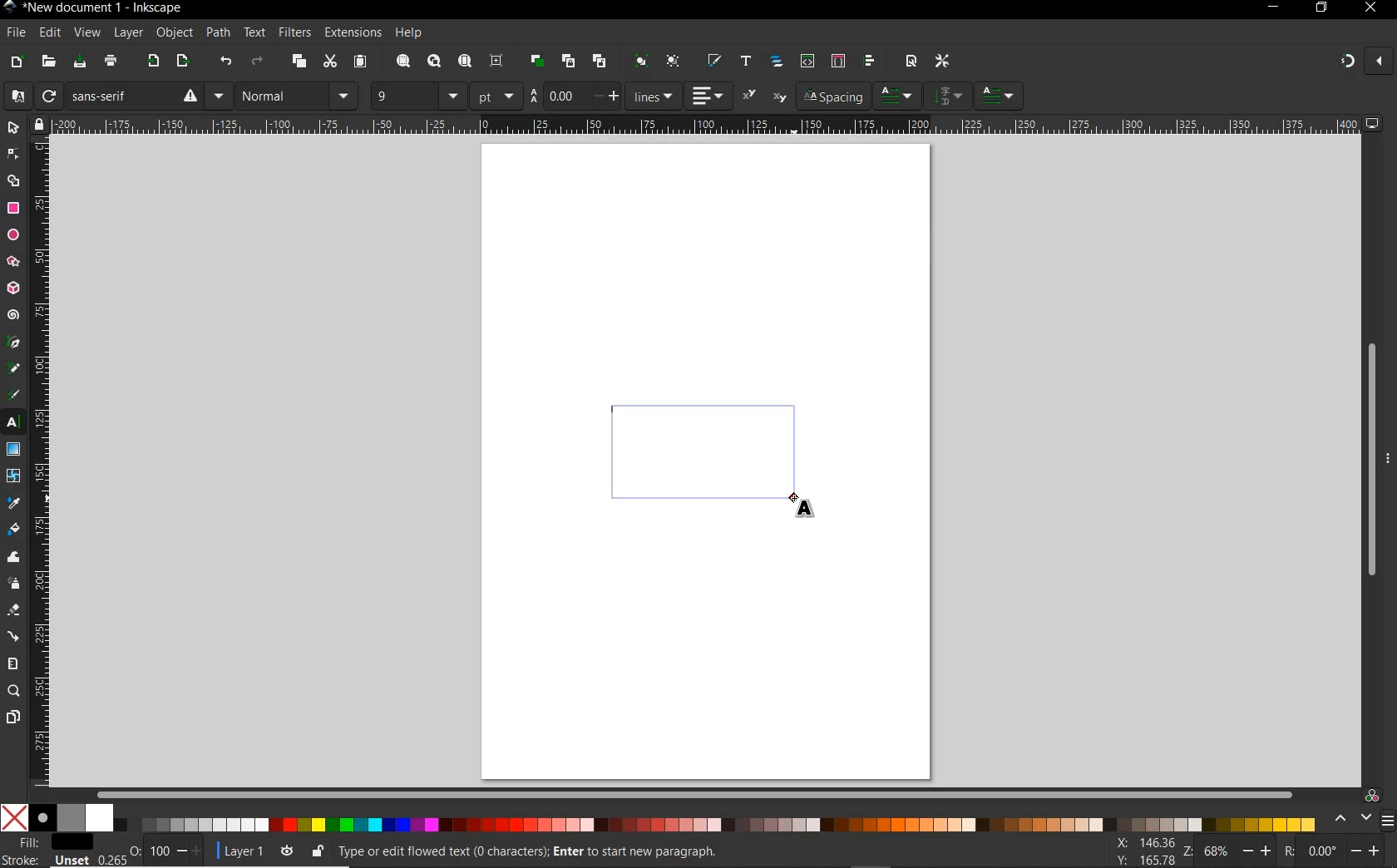 The width and height of the screenshot is (1397, 868). I want to click on lock or unlock, so click(317, 851).